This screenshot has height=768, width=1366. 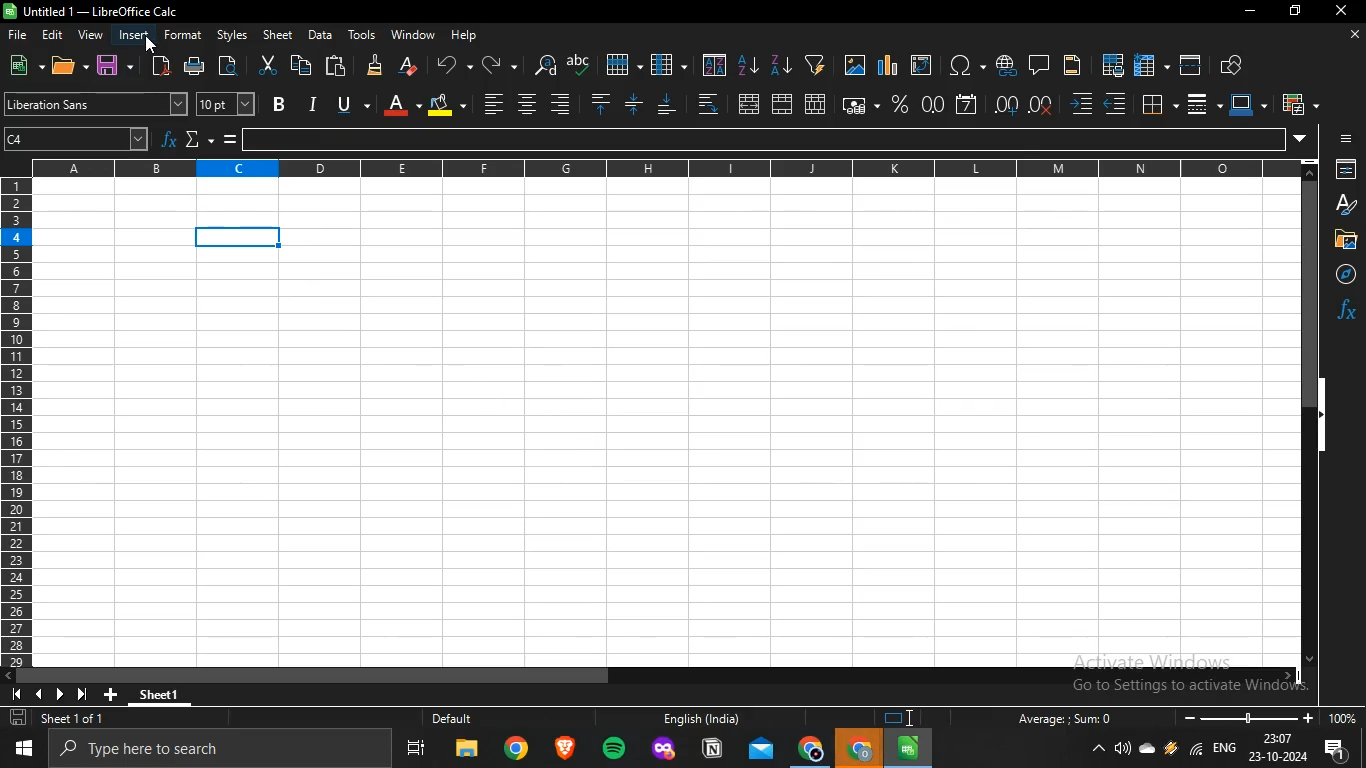 What do you see at coordinates (312, 103) in the screenshot?
I see `italic` at bounding box center [312, 103].